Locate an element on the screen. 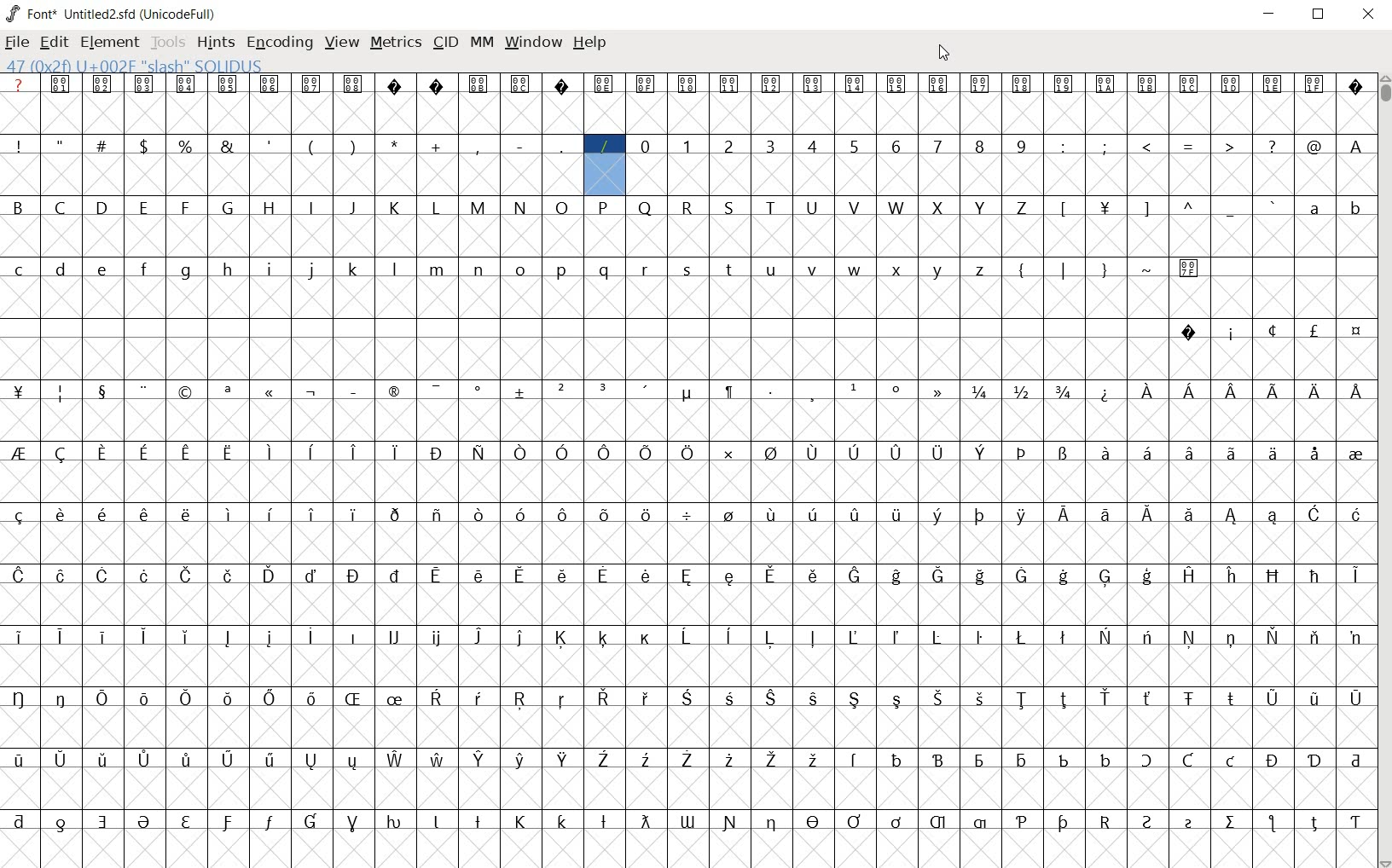  glyph is located at coordinates (729, 208).